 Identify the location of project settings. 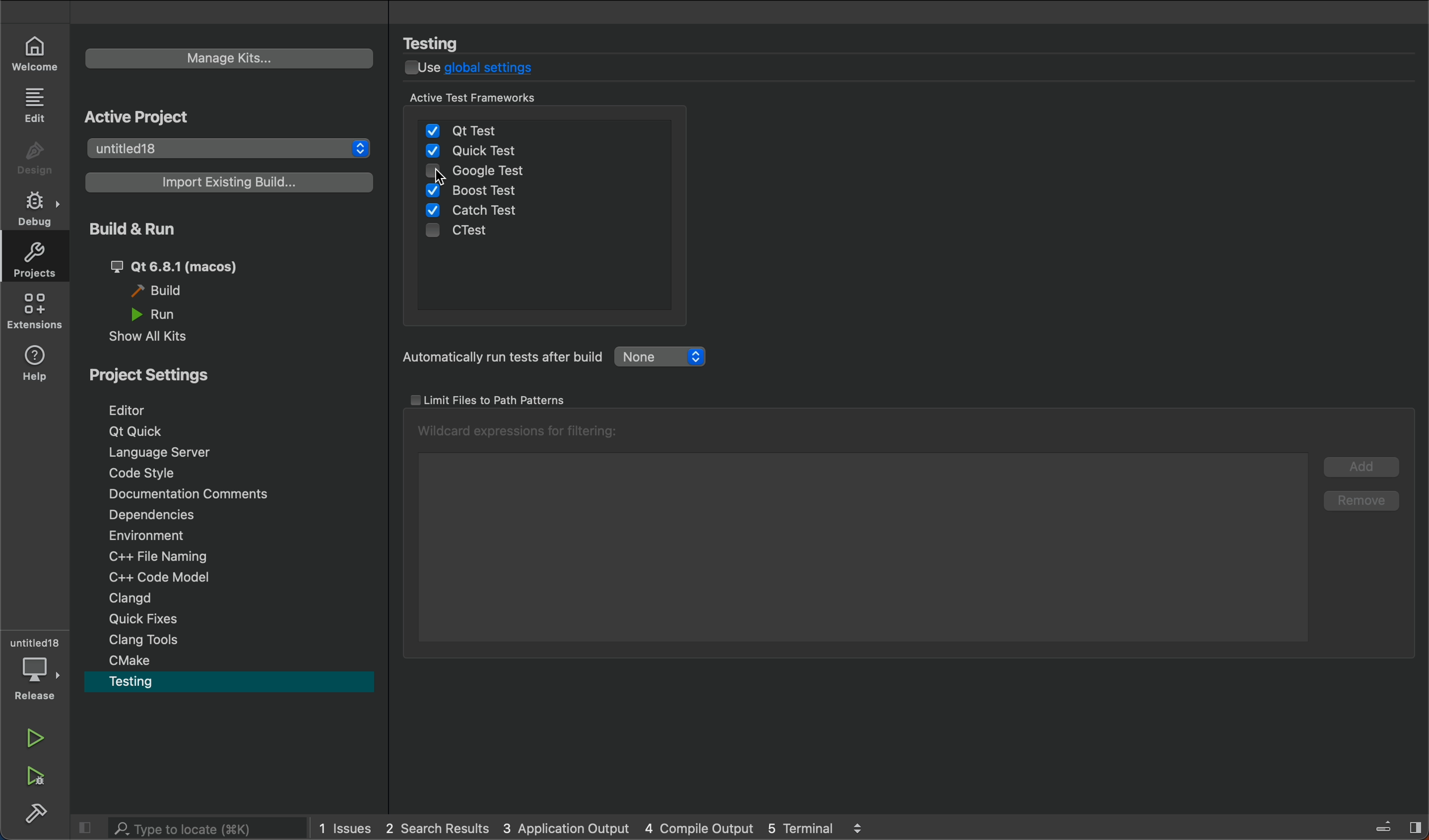
(166, 376).